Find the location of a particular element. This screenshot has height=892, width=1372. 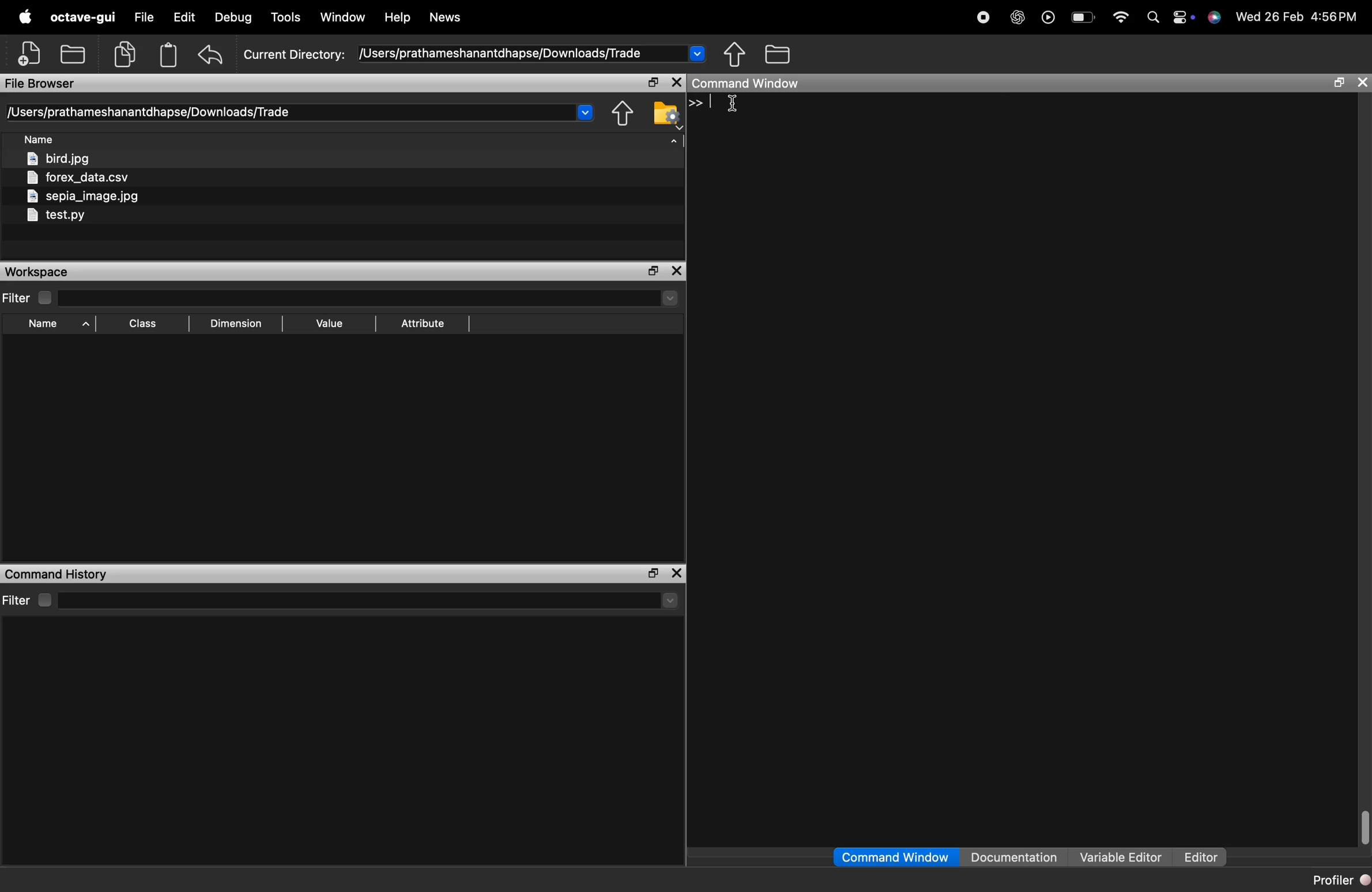

folder  is located at coordinates (777, 54).